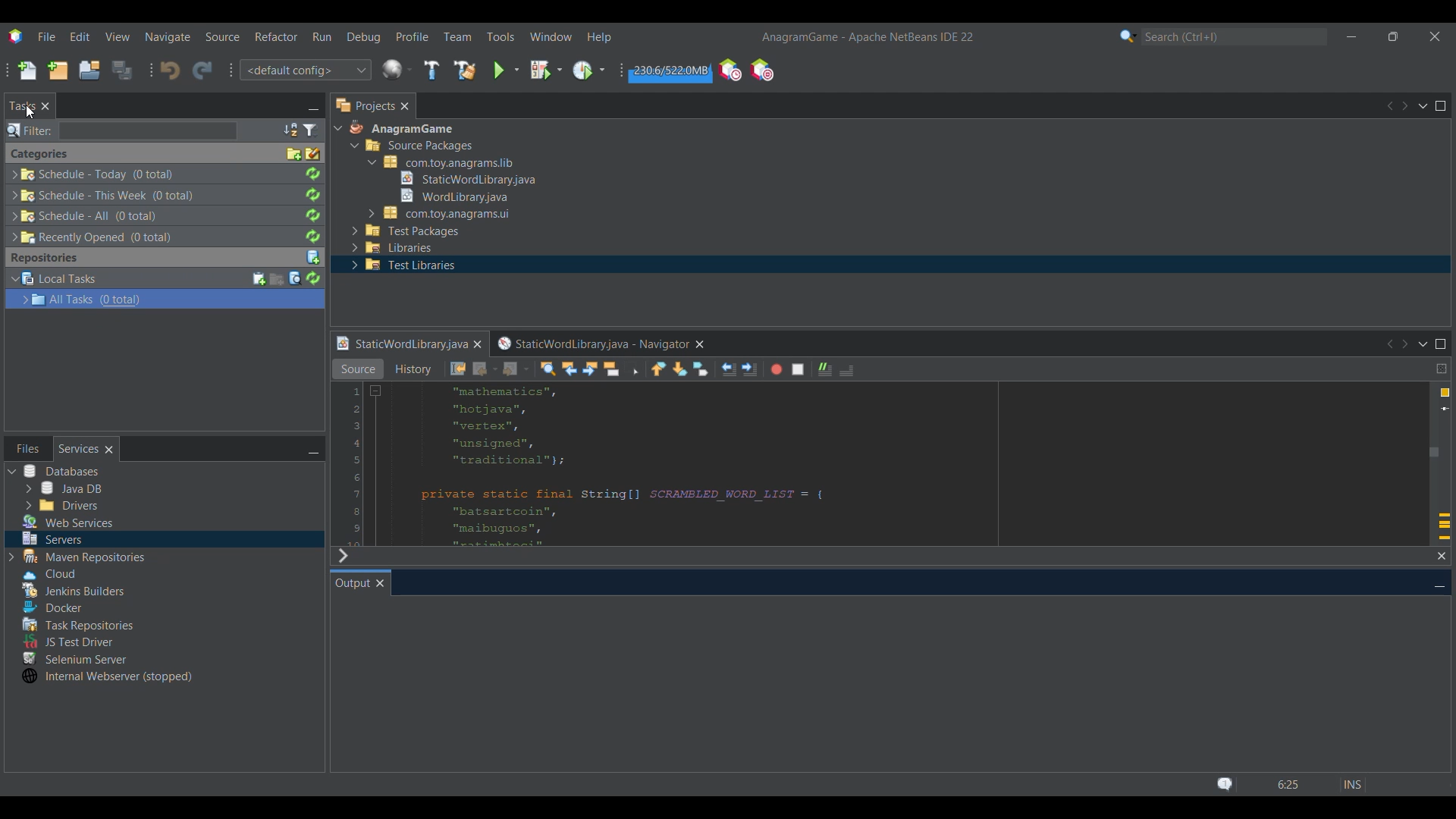 This screenshot has width=1456, height=819. What do you see at coordinates (64, 488) in the screenshot?
I see `` at bounding box center [64, 488].